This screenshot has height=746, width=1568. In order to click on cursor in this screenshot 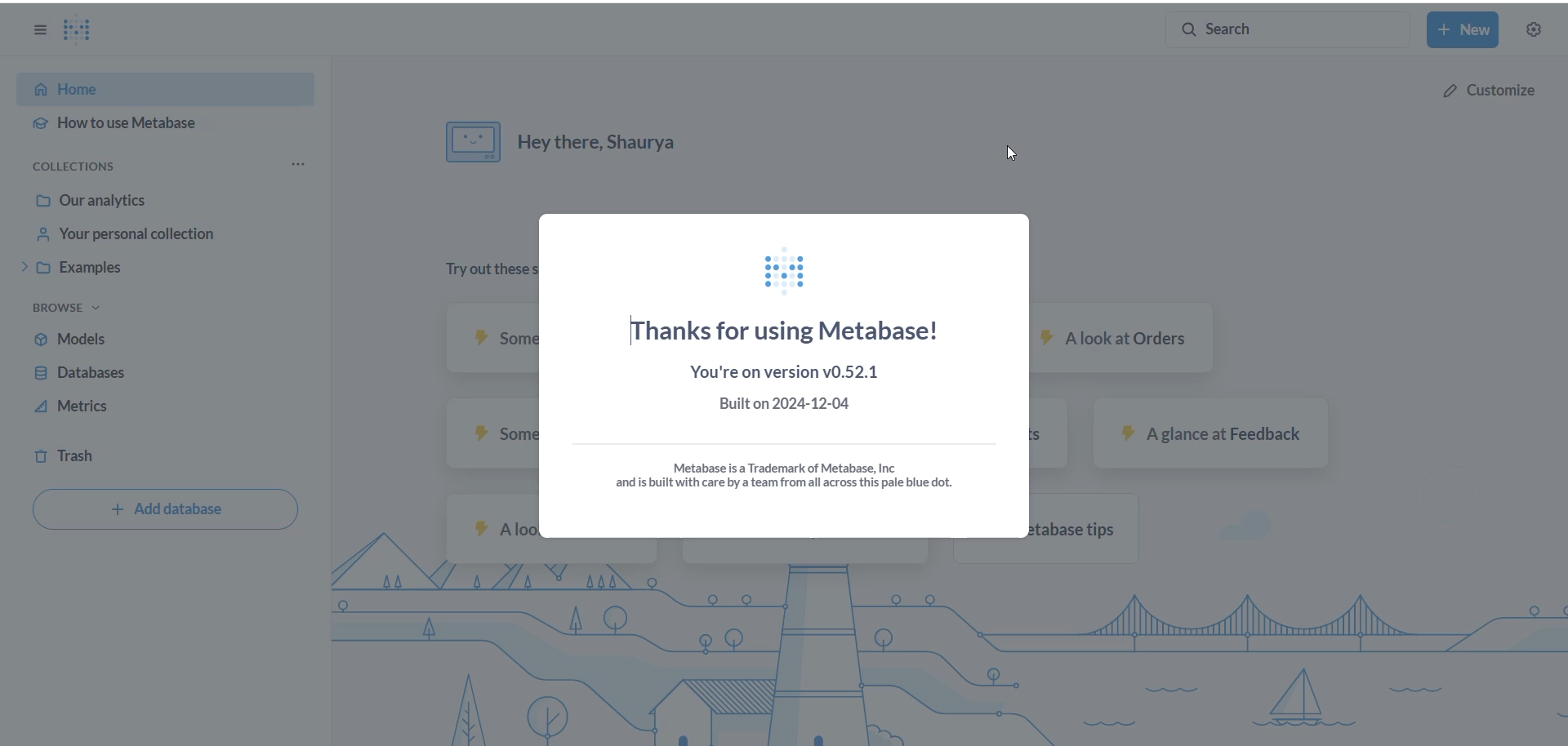, I will do `click(1018, 155)`.